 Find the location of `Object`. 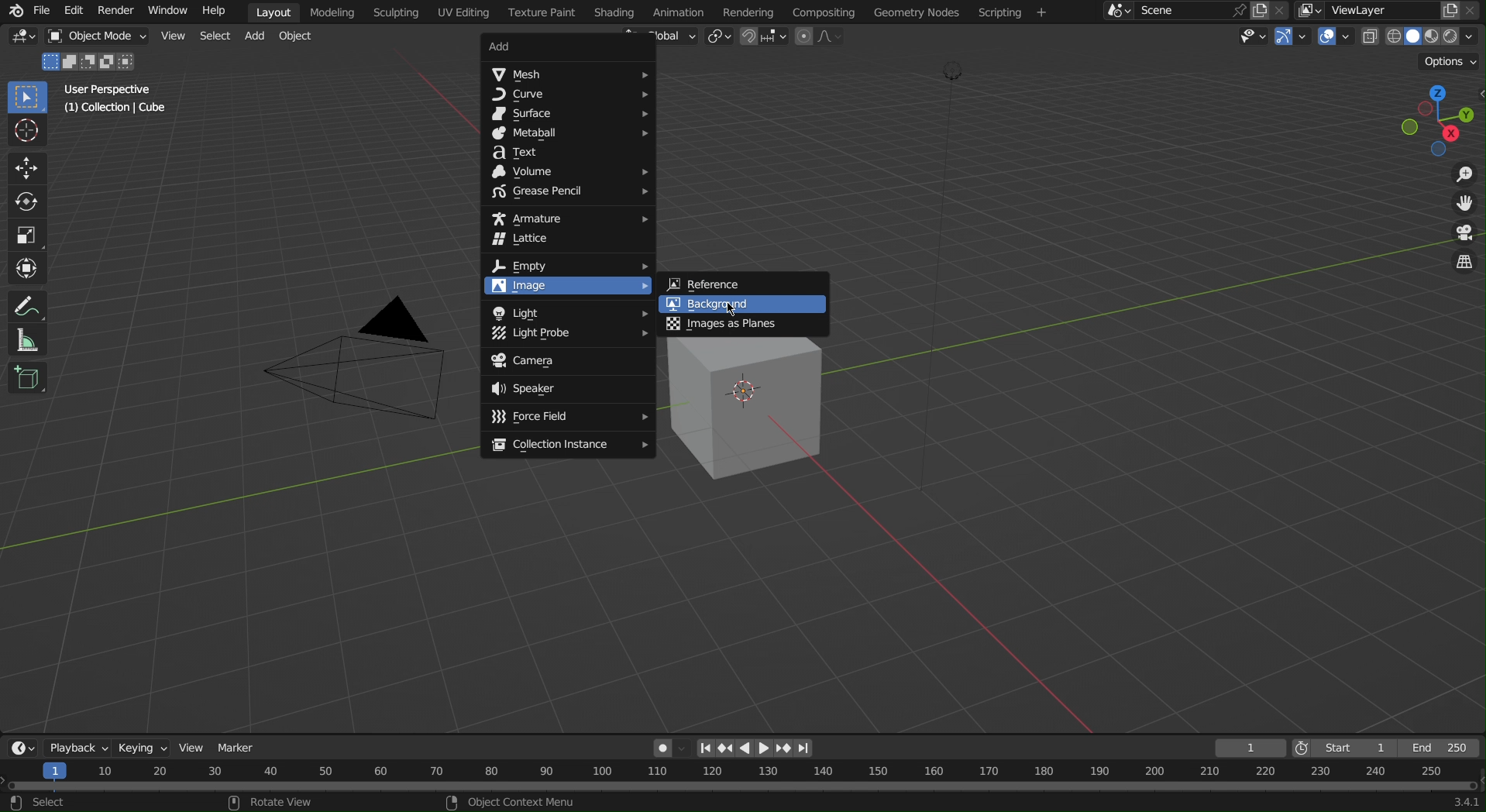

Object is located at coordinates (301, 39).